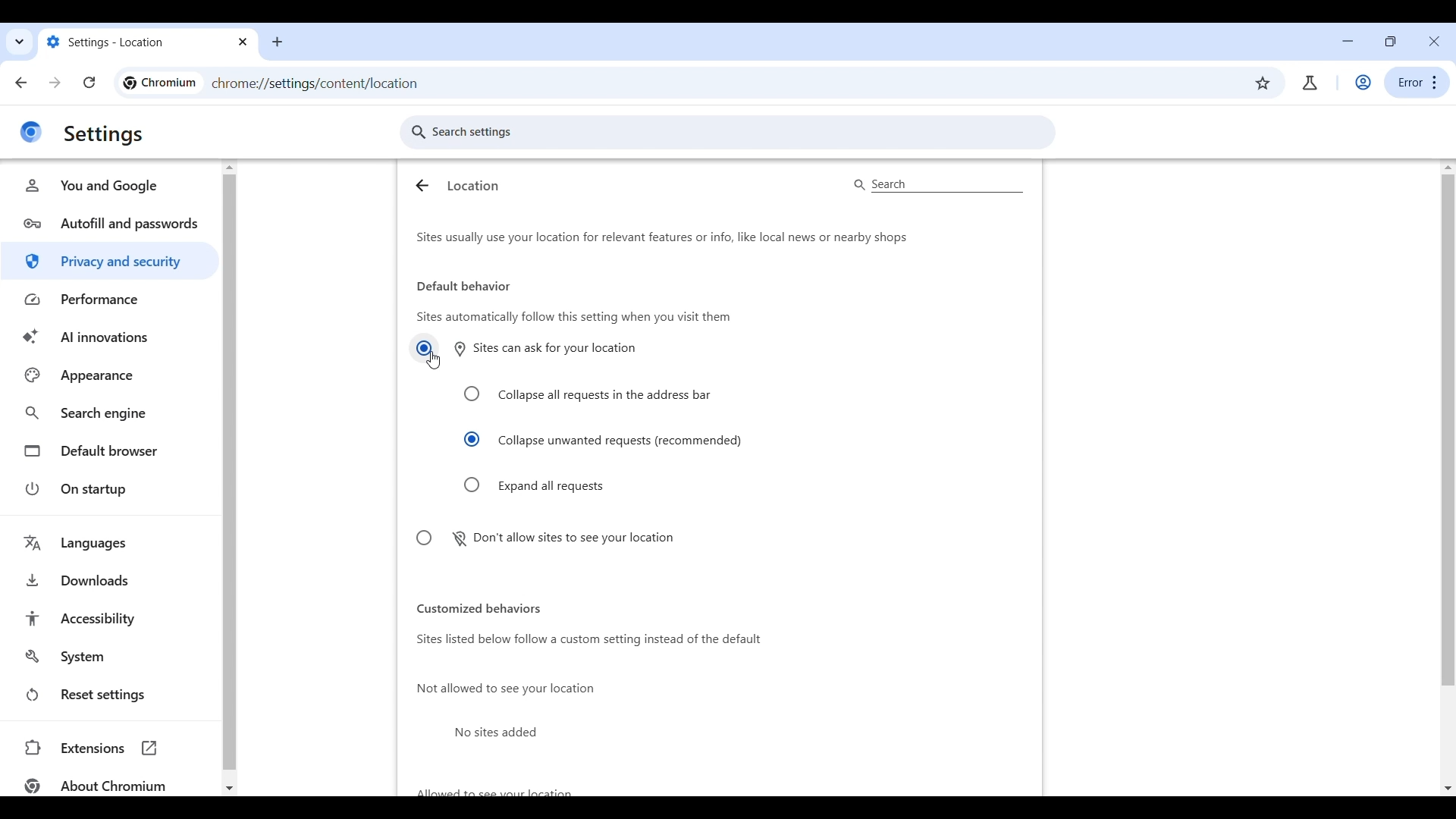 This screenshot has width=1456, height=819. Describe the element at coordinates (111, 375) in the screenshot. I see `Appearance` at that location.